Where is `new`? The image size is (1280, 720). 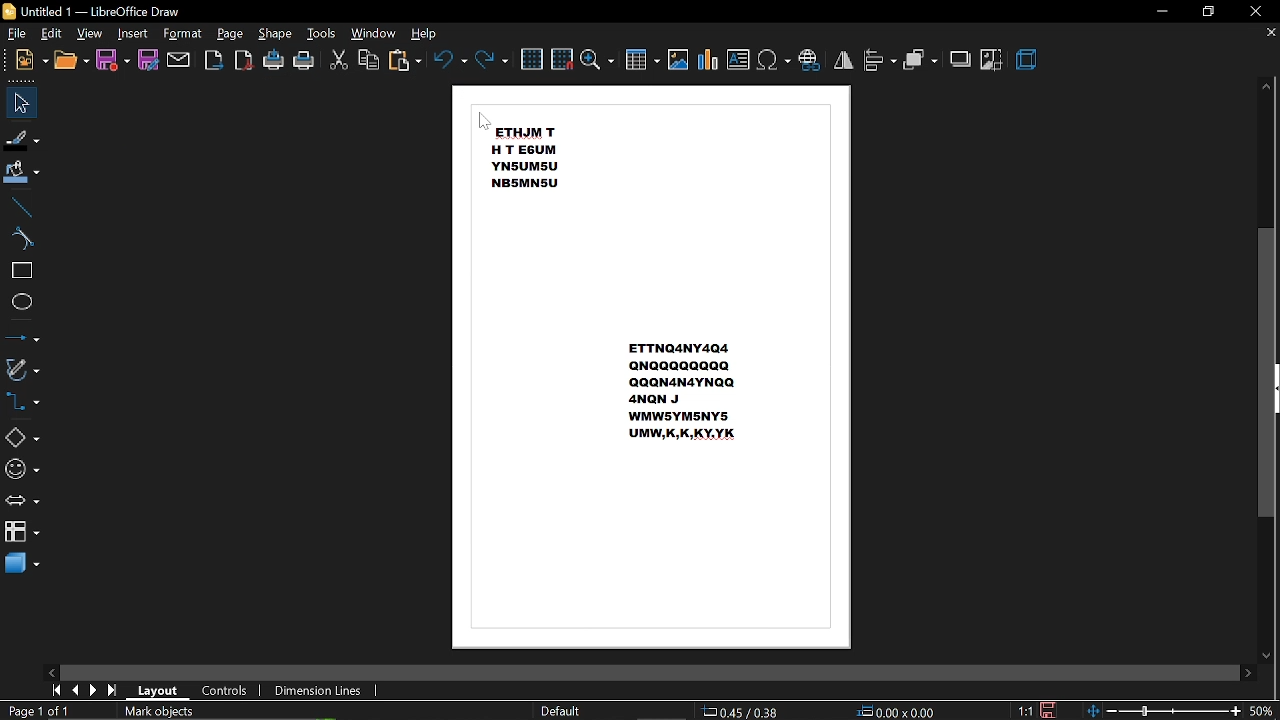 new is located at coordinates (32, 61).